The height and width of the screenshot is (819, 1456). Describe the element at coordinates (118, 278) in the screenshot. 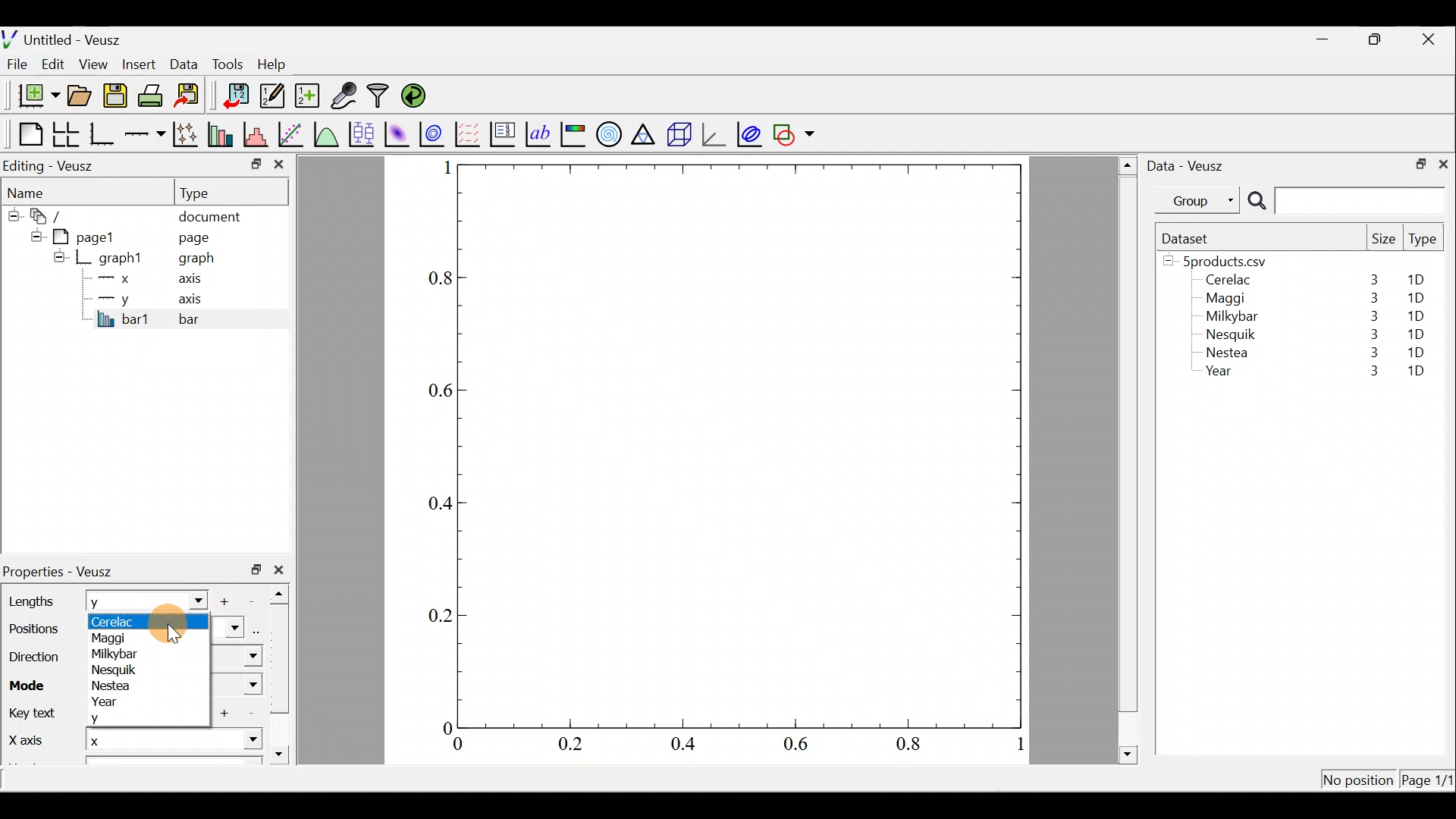

I see `x` at that location.